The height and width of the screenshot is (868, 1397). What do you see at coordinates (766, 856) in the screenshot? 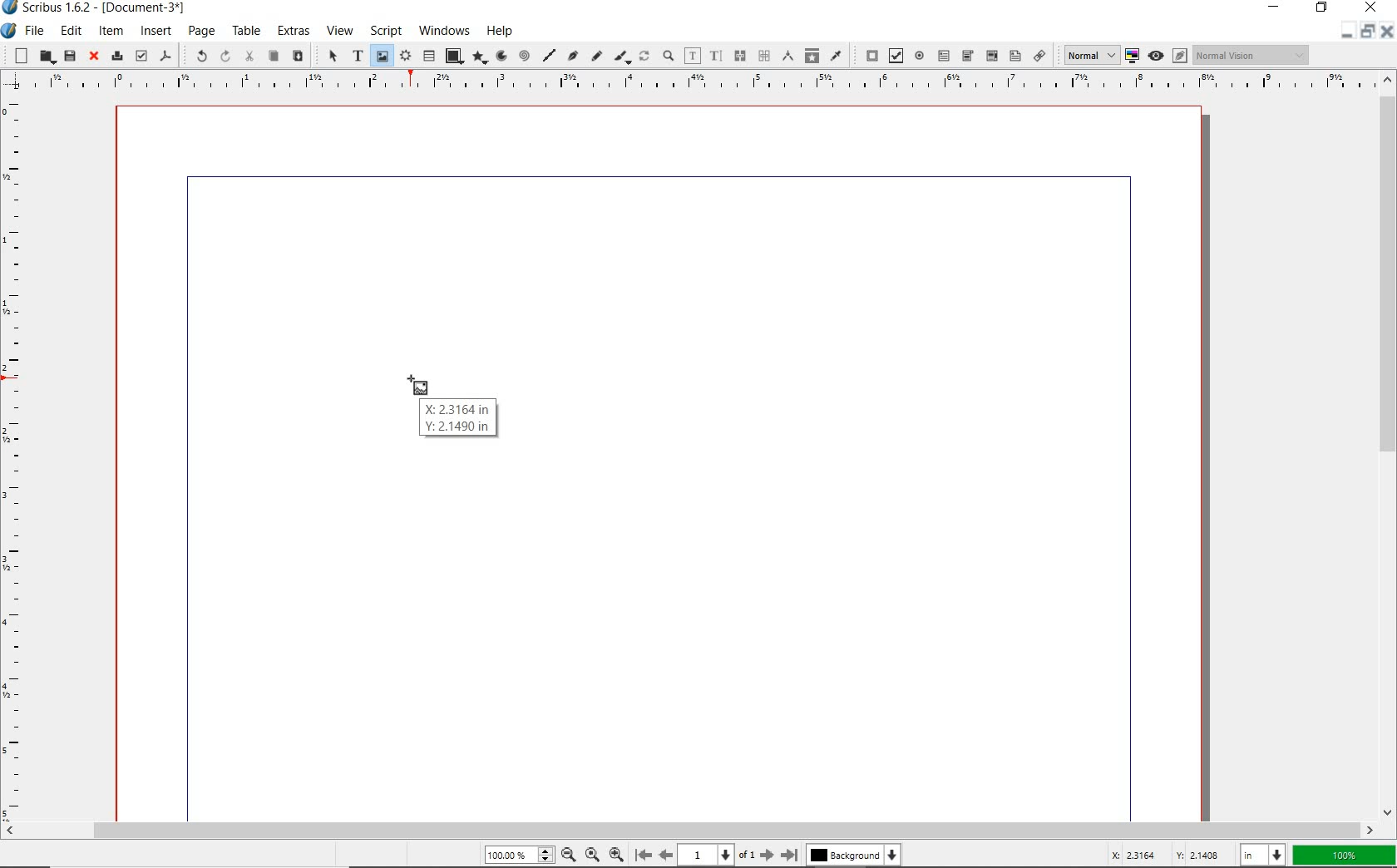
I see `next` at bounding box center [766, 856].